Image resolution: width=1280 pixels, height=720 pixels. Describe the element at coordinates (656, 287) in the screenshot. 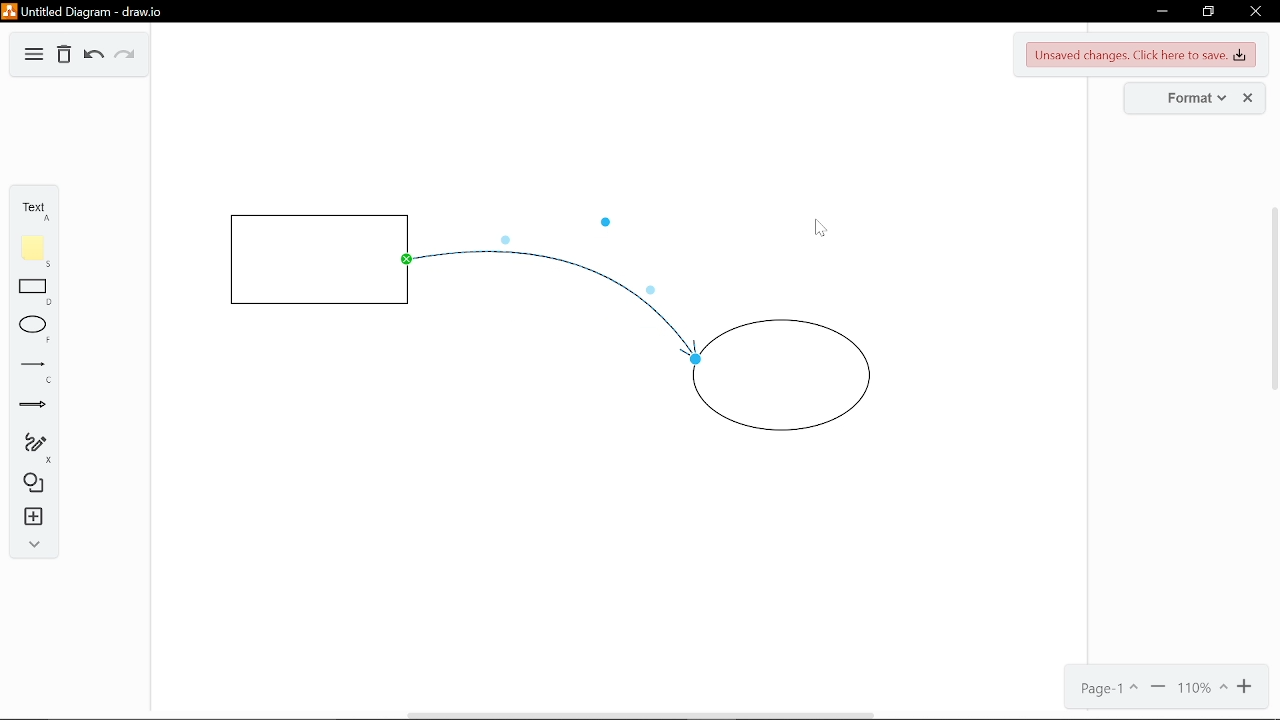

I see `Bending point` at that location.